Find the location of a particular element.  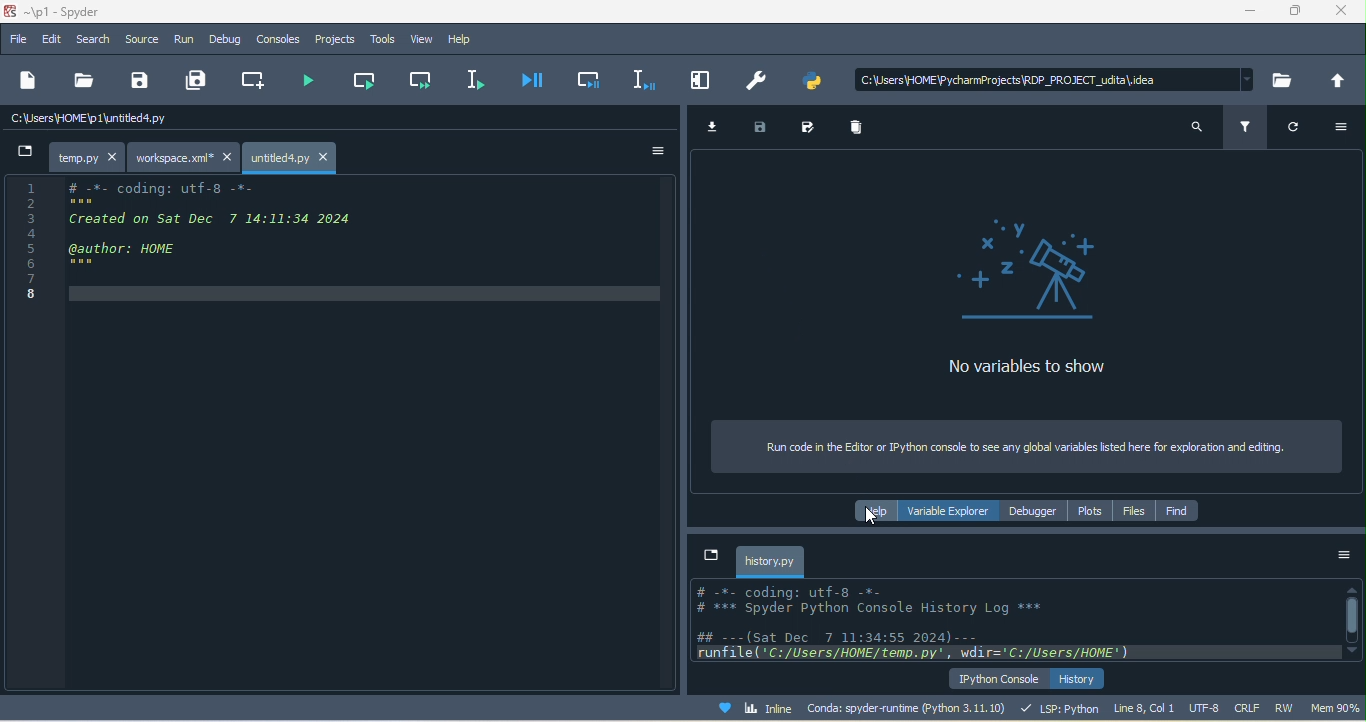

debug cell is located at coordinates (588, 79).